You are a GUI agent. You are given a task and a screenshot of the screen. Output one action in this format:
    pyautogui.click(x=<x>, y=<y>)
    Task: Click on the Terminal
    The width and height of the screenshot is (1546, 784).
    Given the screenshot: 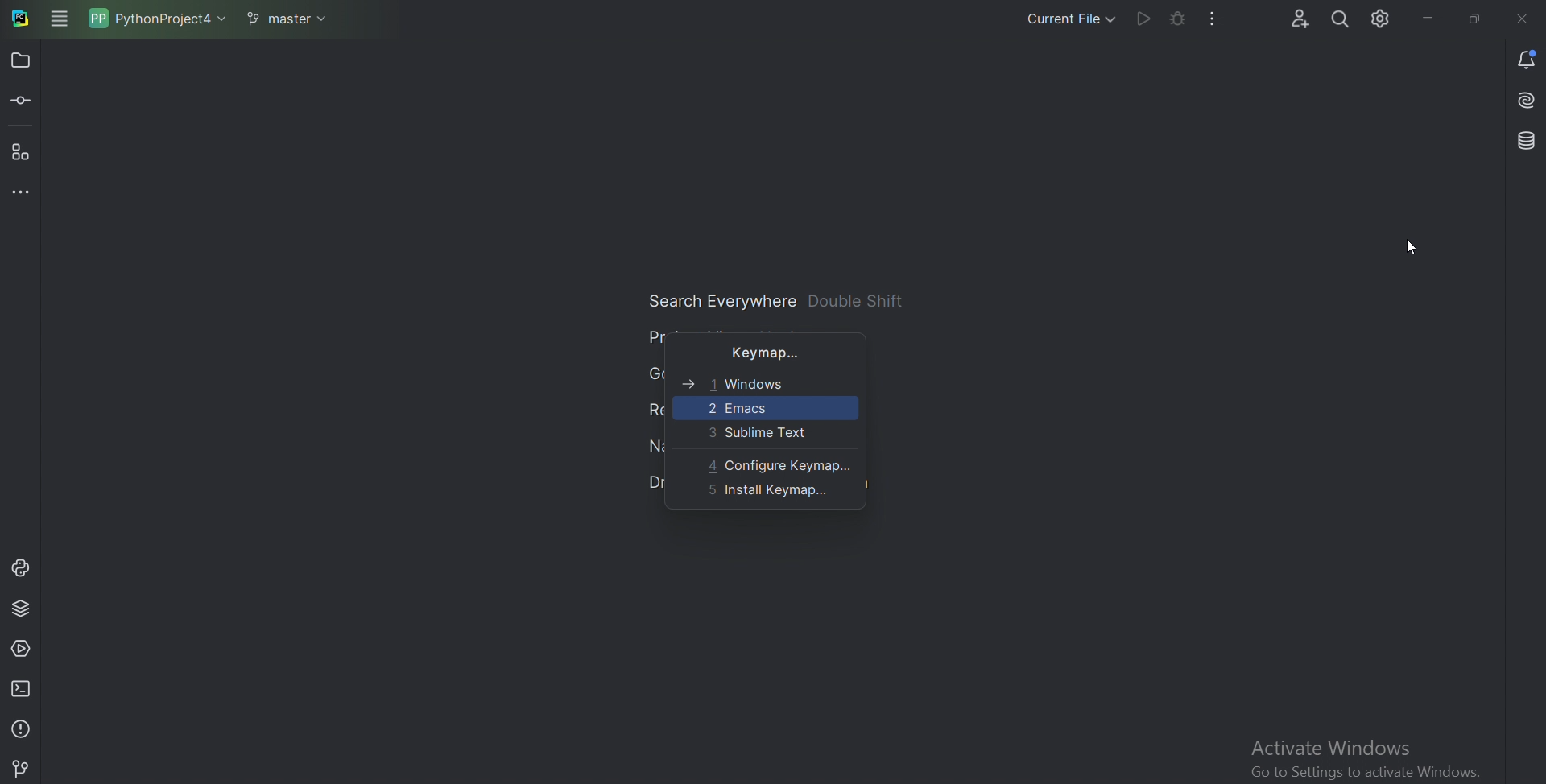 What is the action you would take?
    pyautogui.click(x=23, y=689)
    